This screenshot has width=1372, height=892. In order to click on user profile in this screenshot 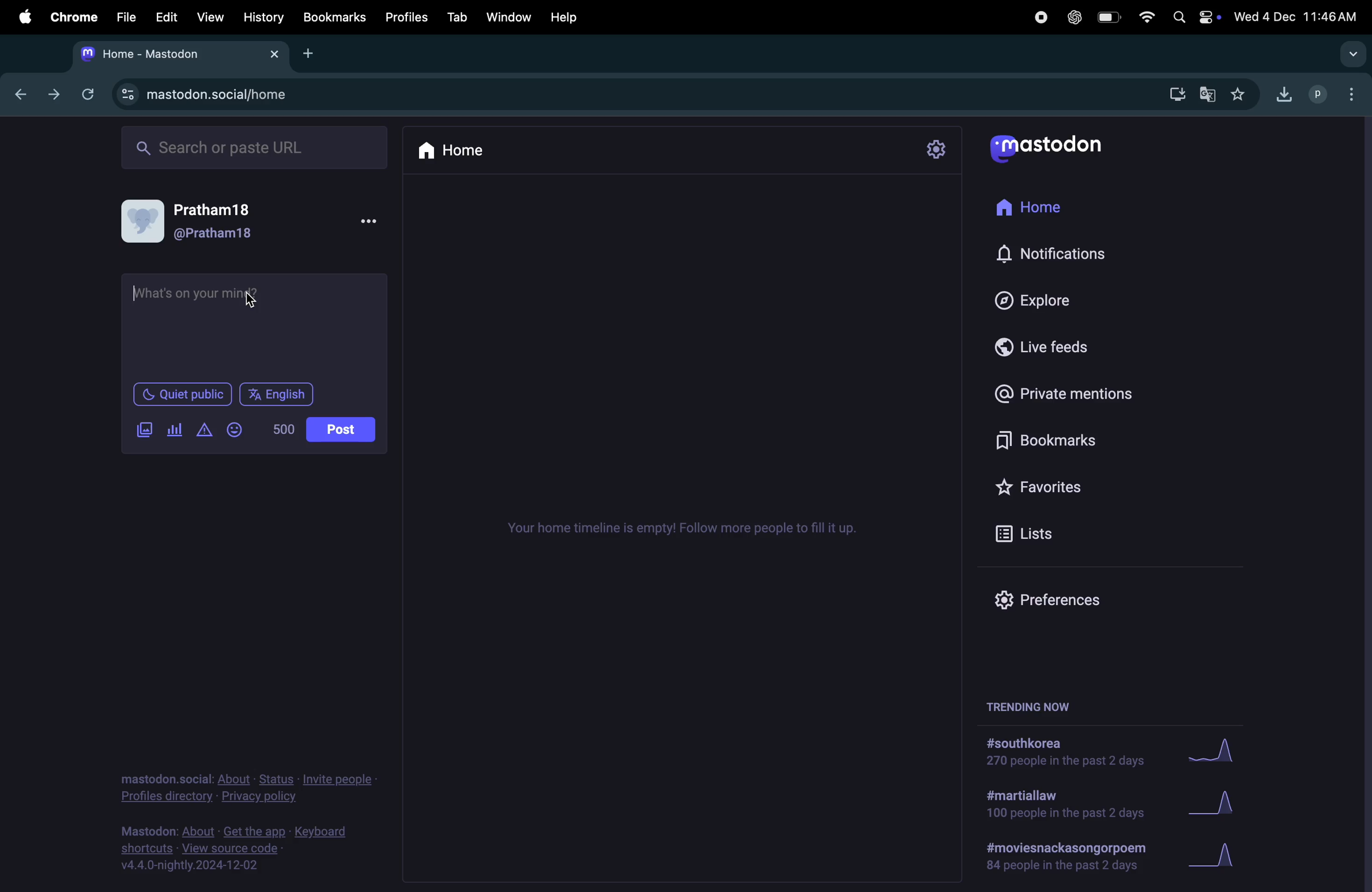, I will do `click(191, 221)`.